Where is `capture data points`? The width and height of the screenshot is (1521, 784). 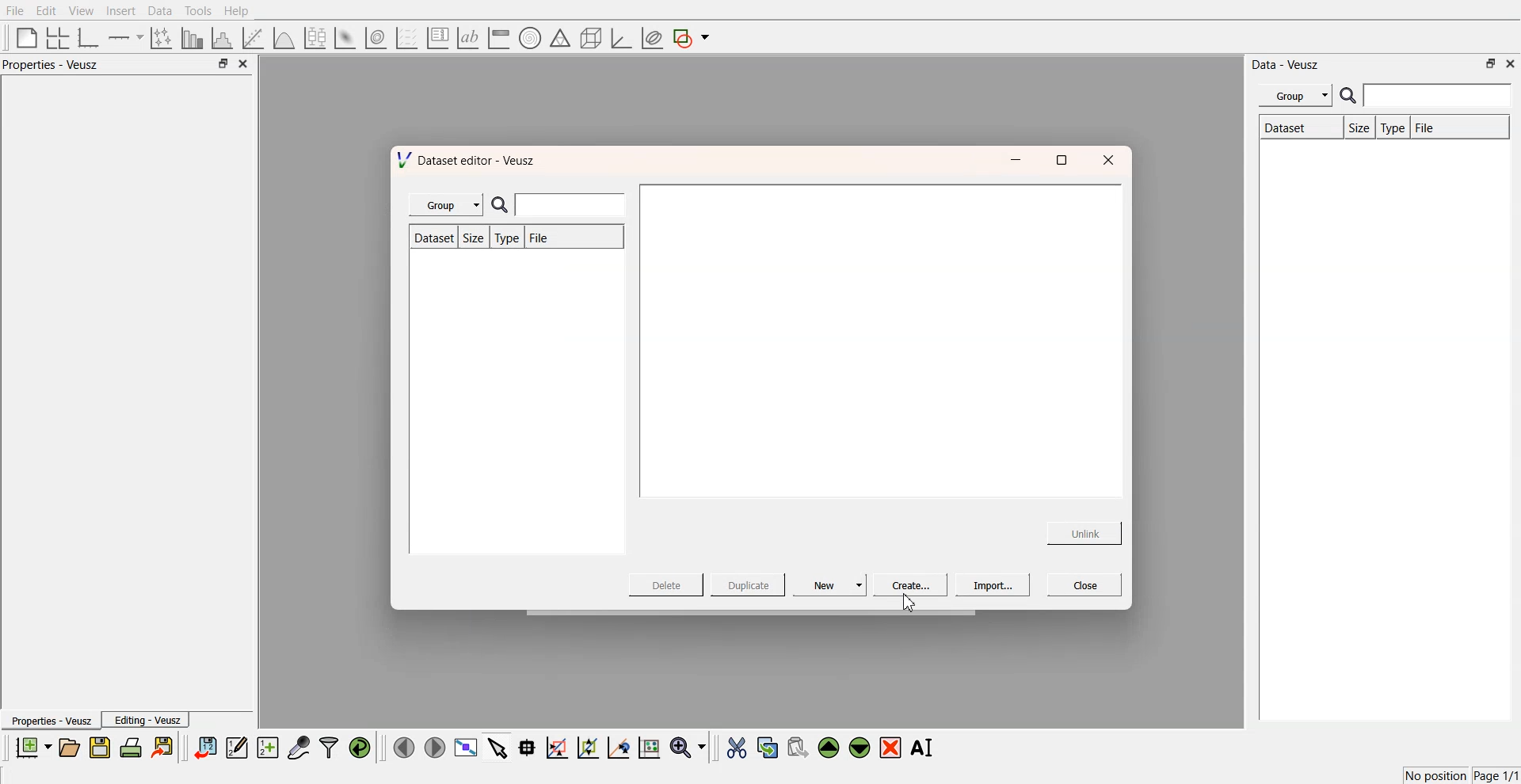 capture data points is located at coordinates (299, 748).